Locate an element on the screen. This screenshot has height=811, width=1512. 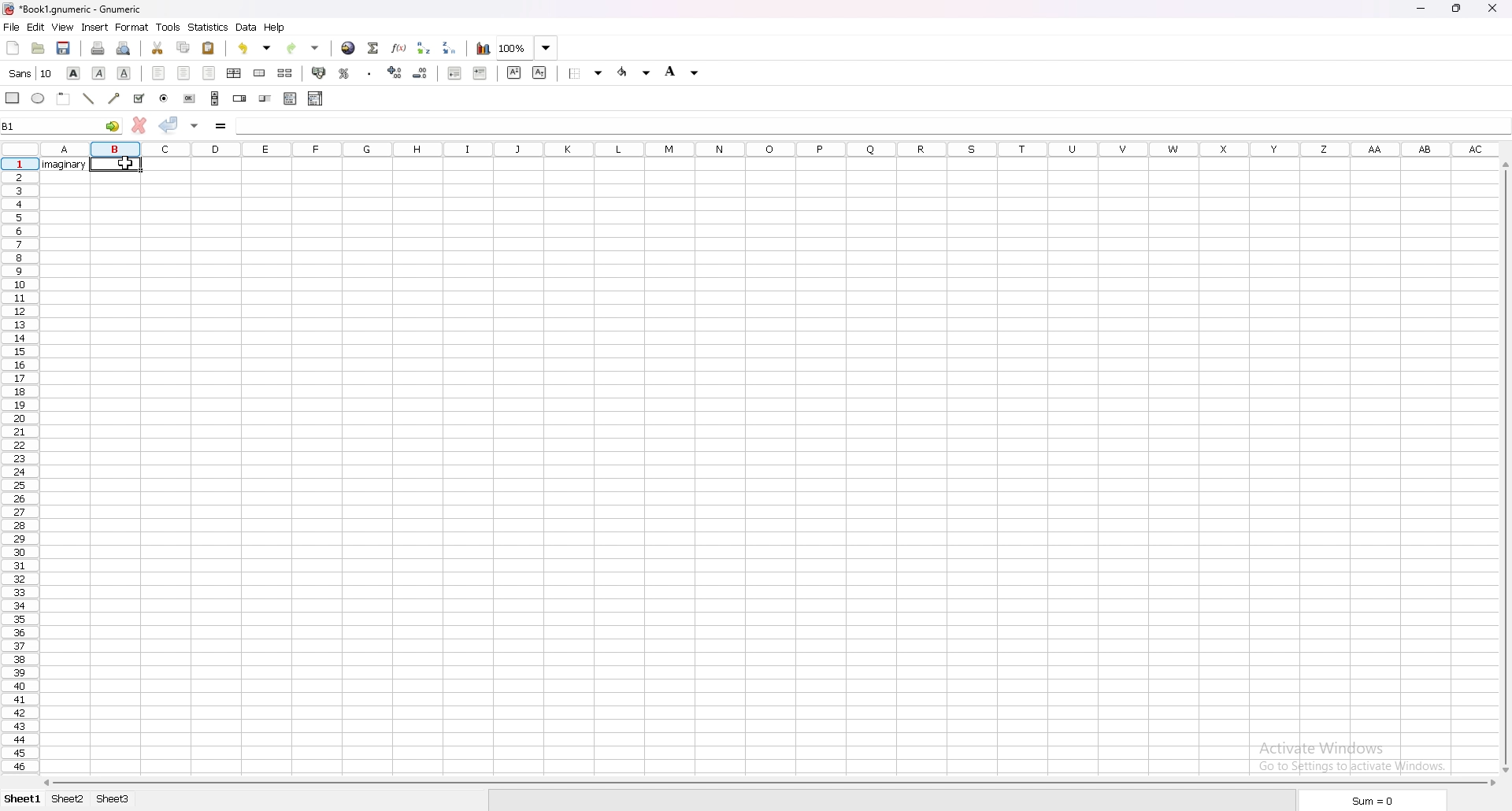
undo is located at coordinates (254, 48).